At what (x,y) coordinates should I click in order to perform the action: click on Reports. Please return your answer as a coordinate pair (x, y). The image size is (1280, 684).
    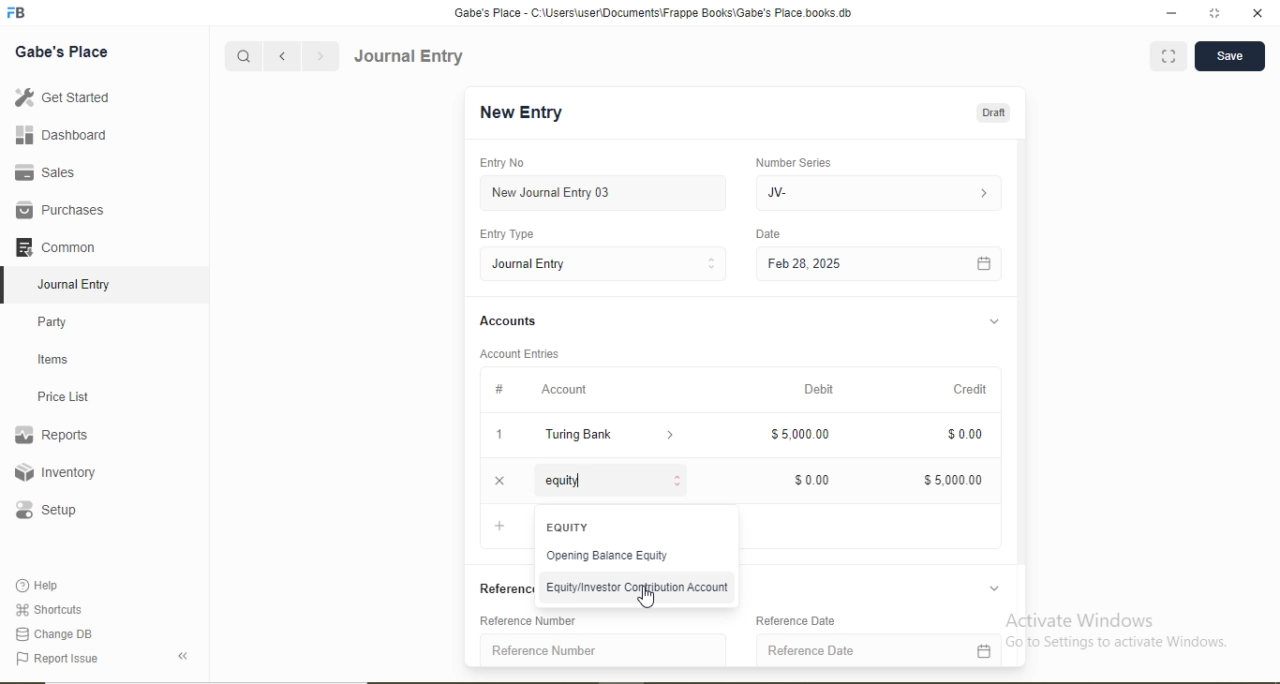
    Looking at the image, I should click on (51, 435).